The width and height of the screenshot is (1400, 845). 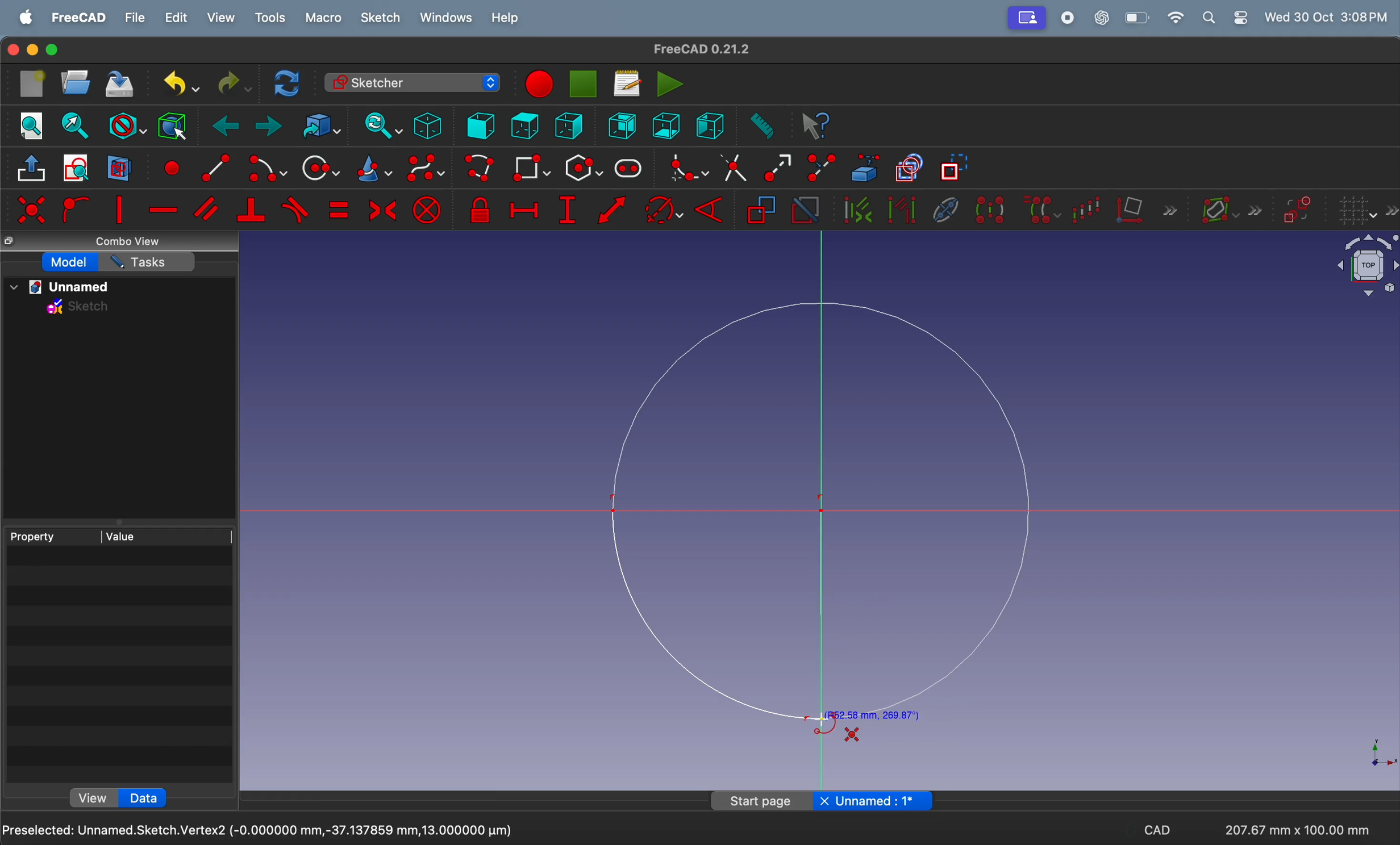 What do you see at coordinates (761, 211) in the screenshot?
I see `reference constarint` at bounding box center [761, 211].